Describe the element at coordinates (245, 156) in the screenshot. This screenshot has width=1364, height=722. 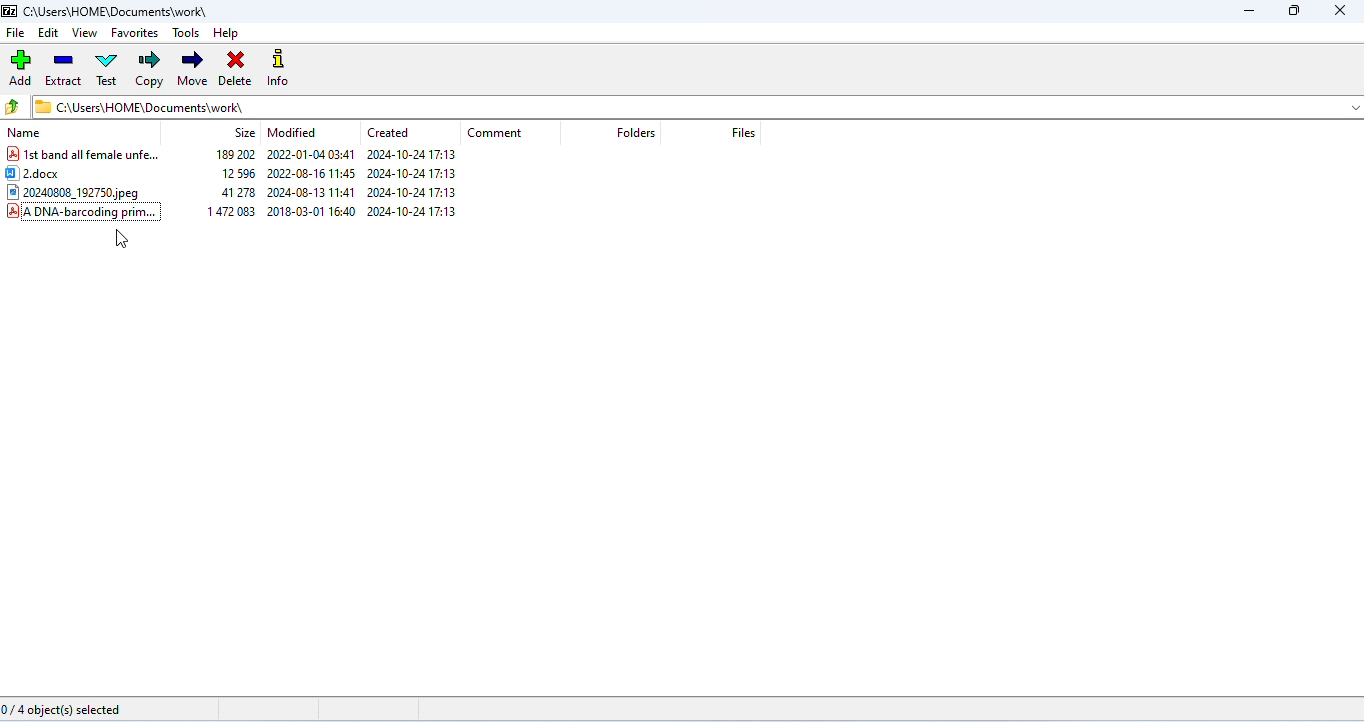
I see `Ist band all female unfe... 189202 2022-01-04 03:41 2024-10-24 17:13` at that location.